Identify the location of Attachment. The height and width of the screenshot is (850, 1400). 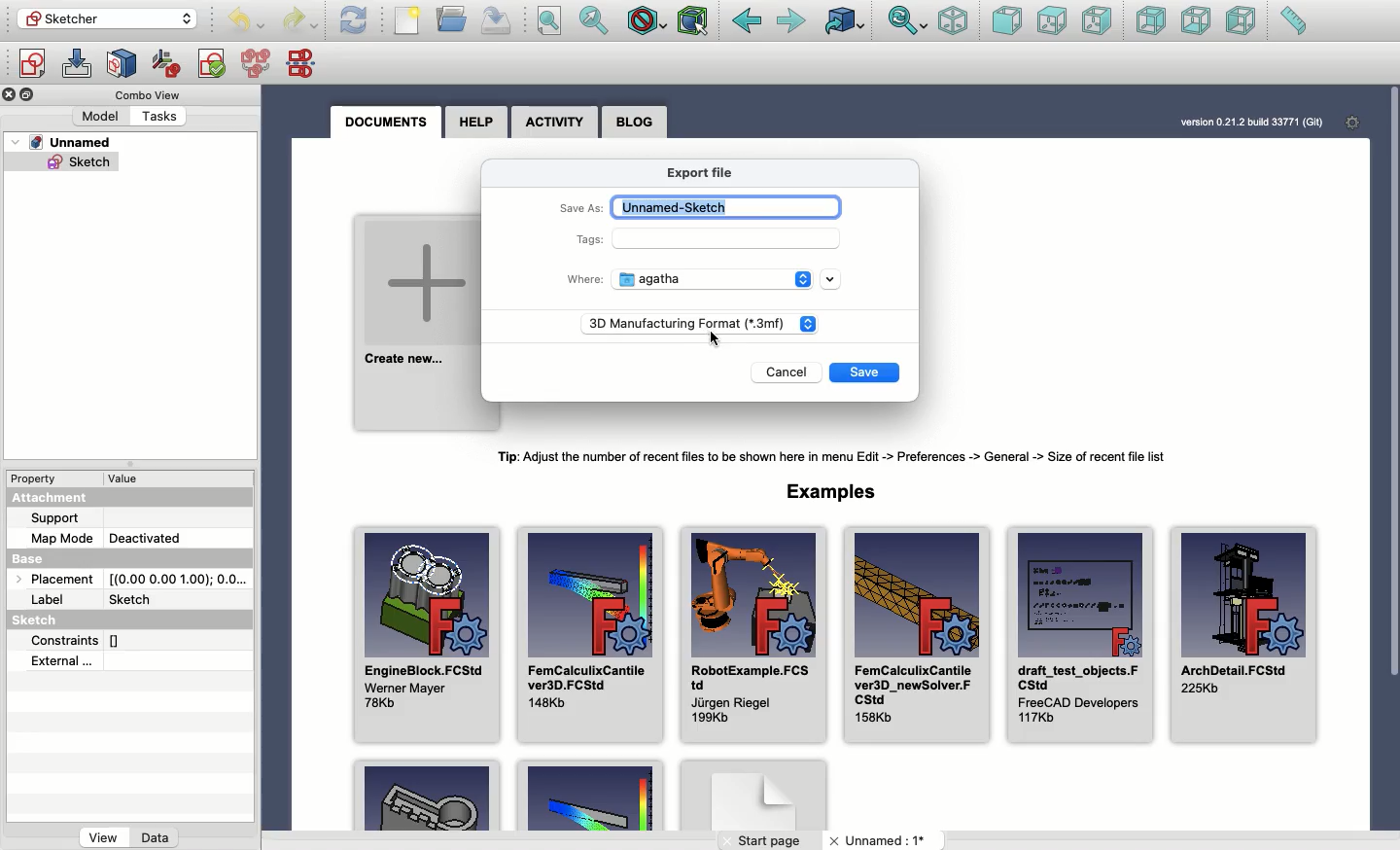
(60, 497).